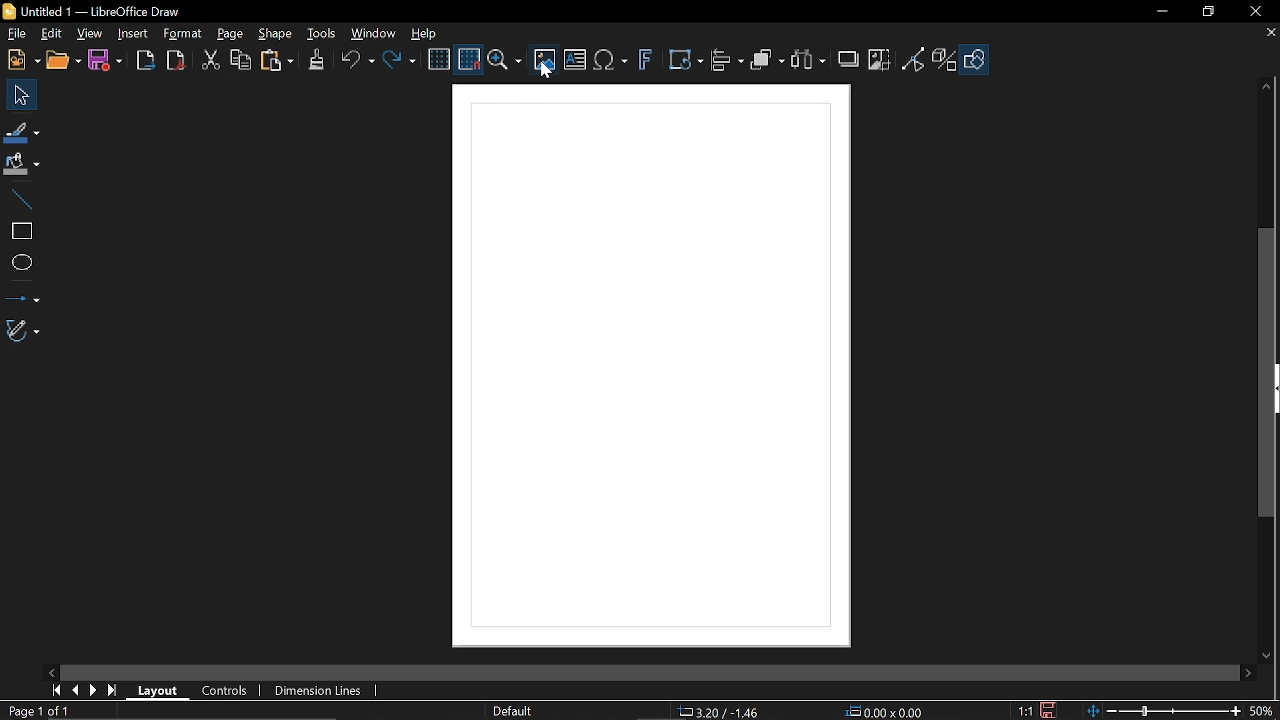 The width and height of the screenshot is (1280, 720). What do you see at coordinates (468, 59) in the screenshot?
I see `Snap to grid` at bounding box center [468, 59].